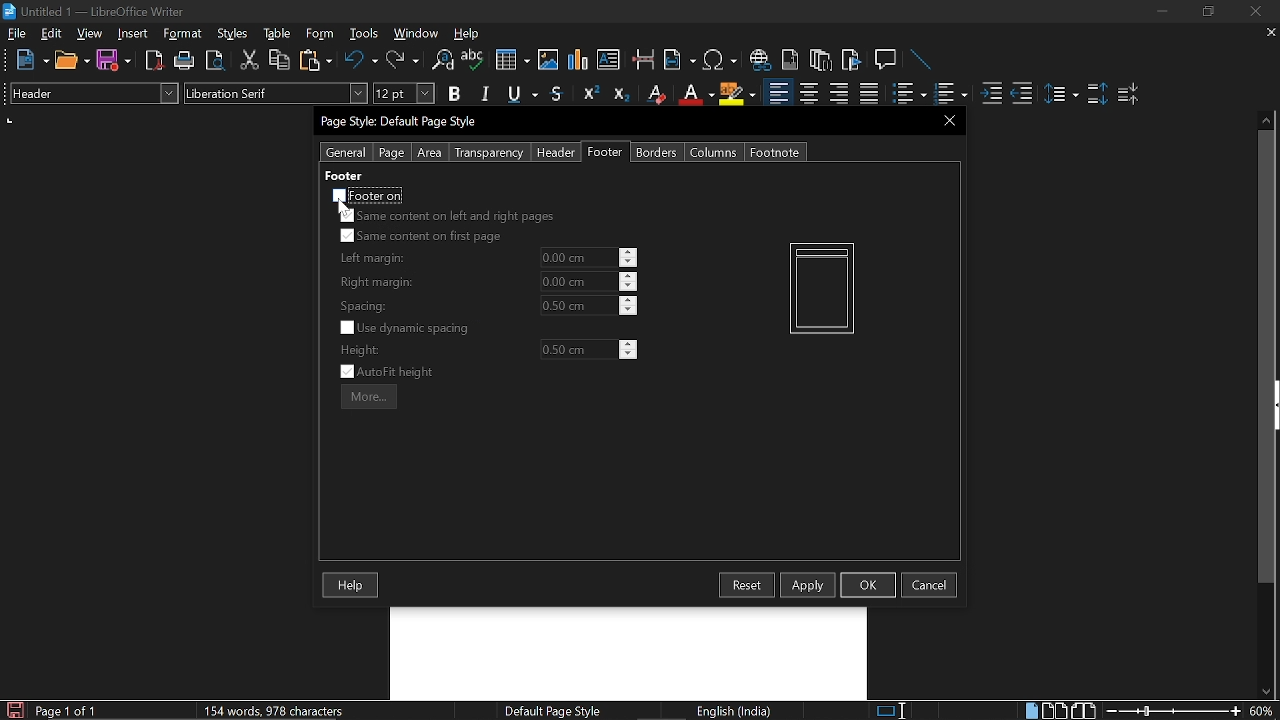 Image resolution: width=1280 pixels, height=720 pixels. Describe the element at coordinates (137, 33) in the screenshot. I see `Insert` at that location.